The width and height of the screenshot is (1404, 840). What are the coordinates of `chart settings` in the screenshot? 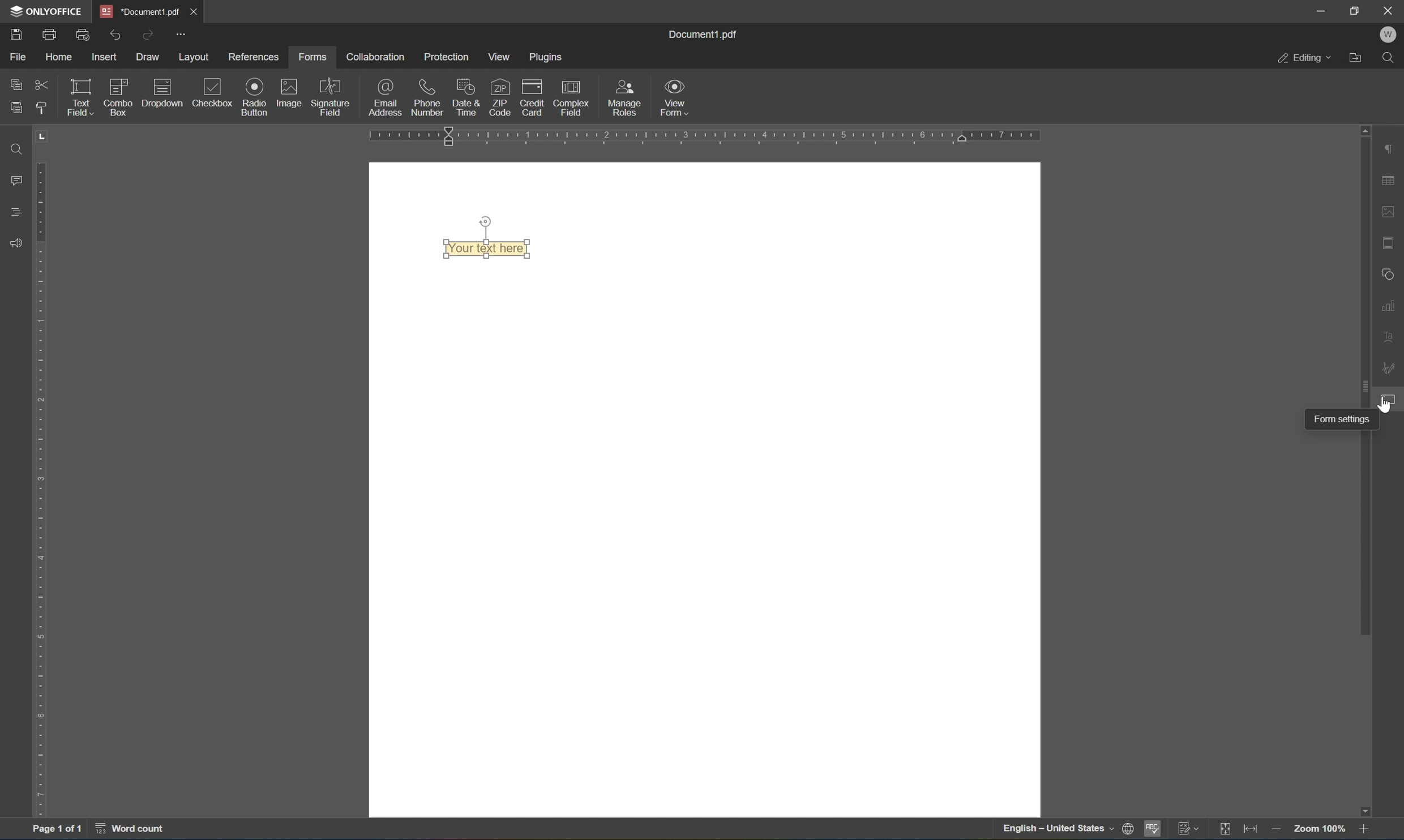 It's located at (1389, 307).